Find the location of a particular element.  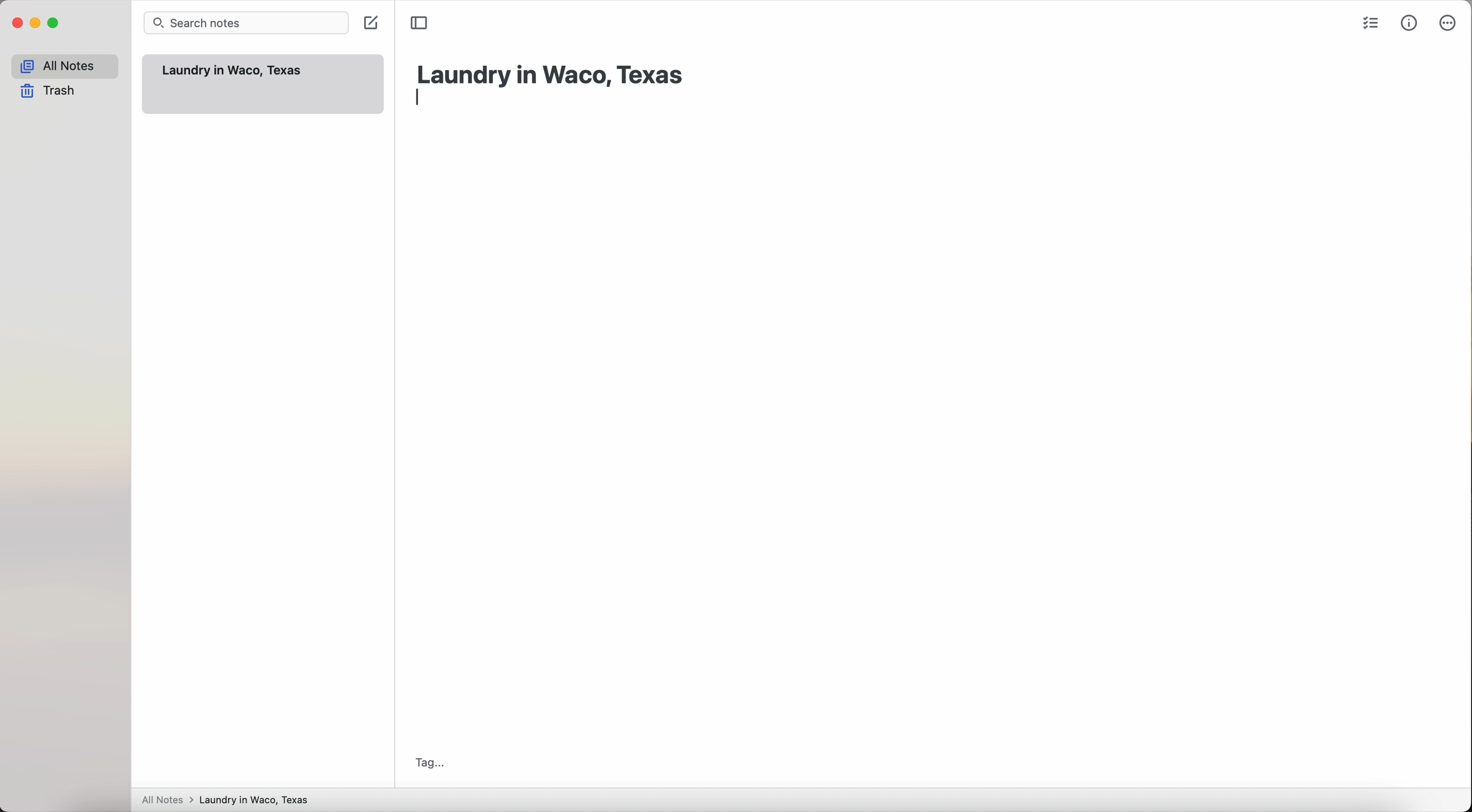

close app is located at coordinates (18, 23).